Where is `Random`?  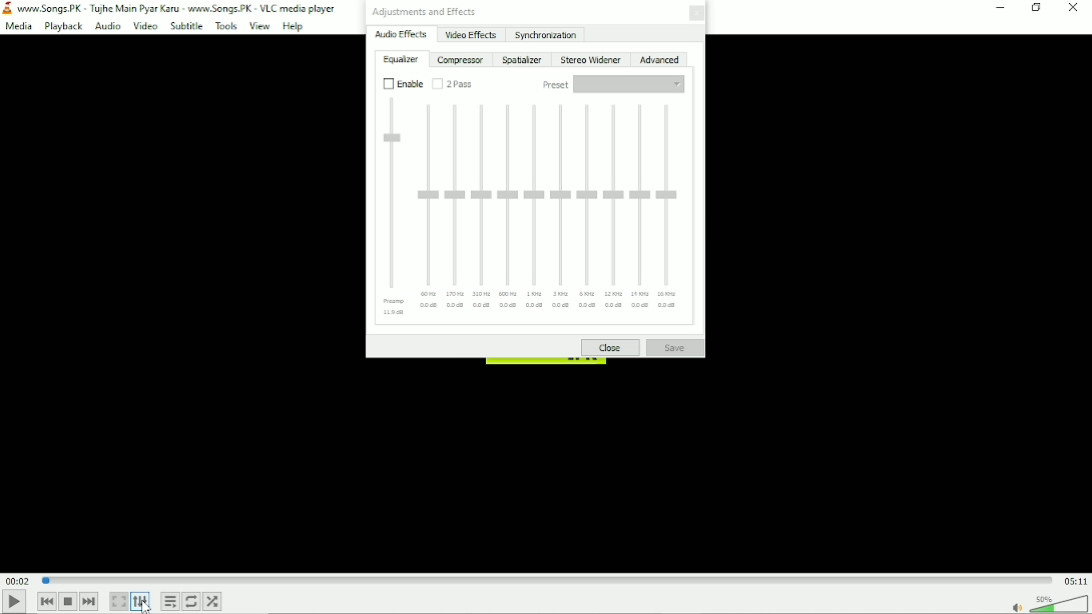 Random is located at coordinates (212, 601).